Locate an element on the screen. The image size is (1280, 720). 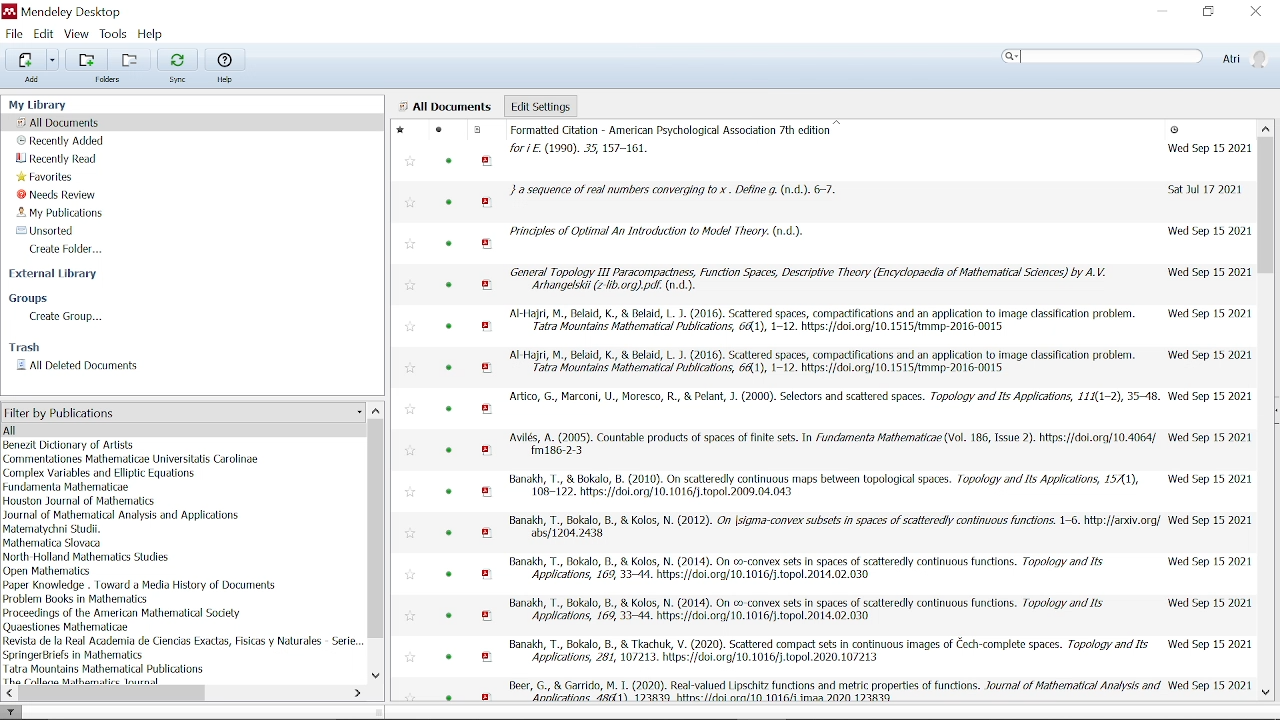
icon is located at coordinates (10, 11).